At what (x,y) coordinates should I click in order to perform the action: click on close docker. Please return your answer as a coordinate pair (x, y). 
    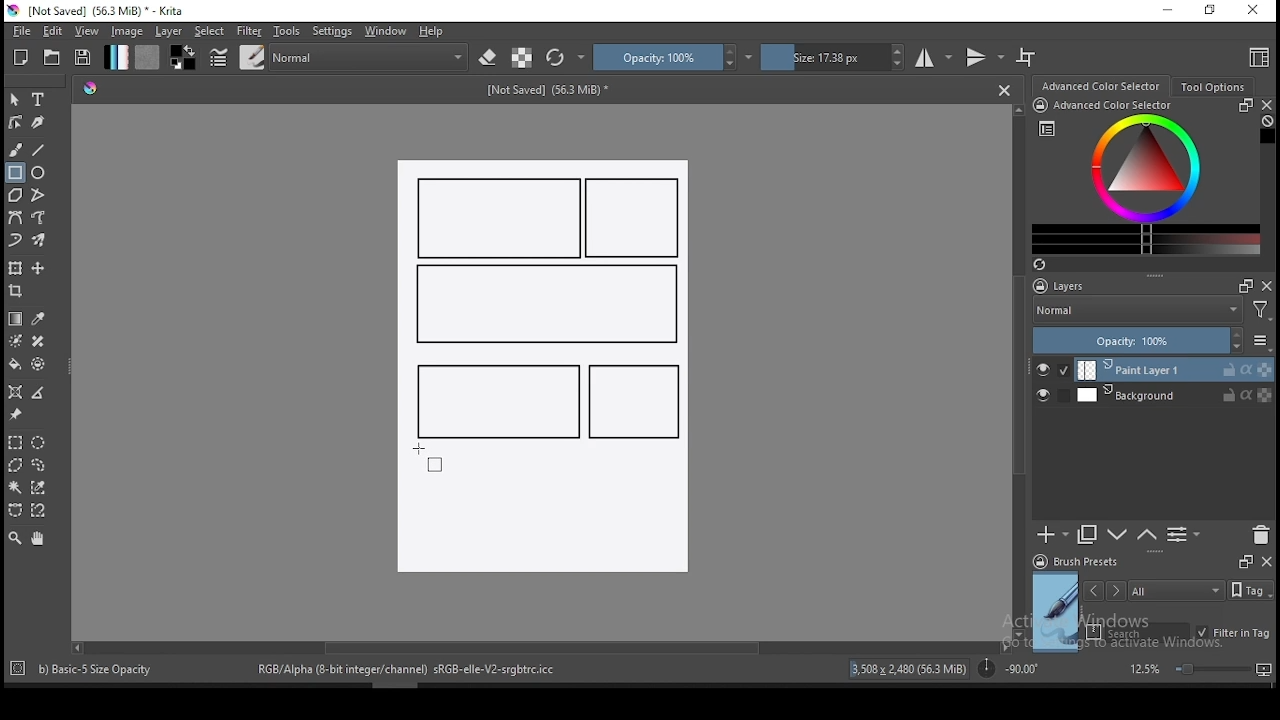
    Looking at the image, I should click on (1266, 560).